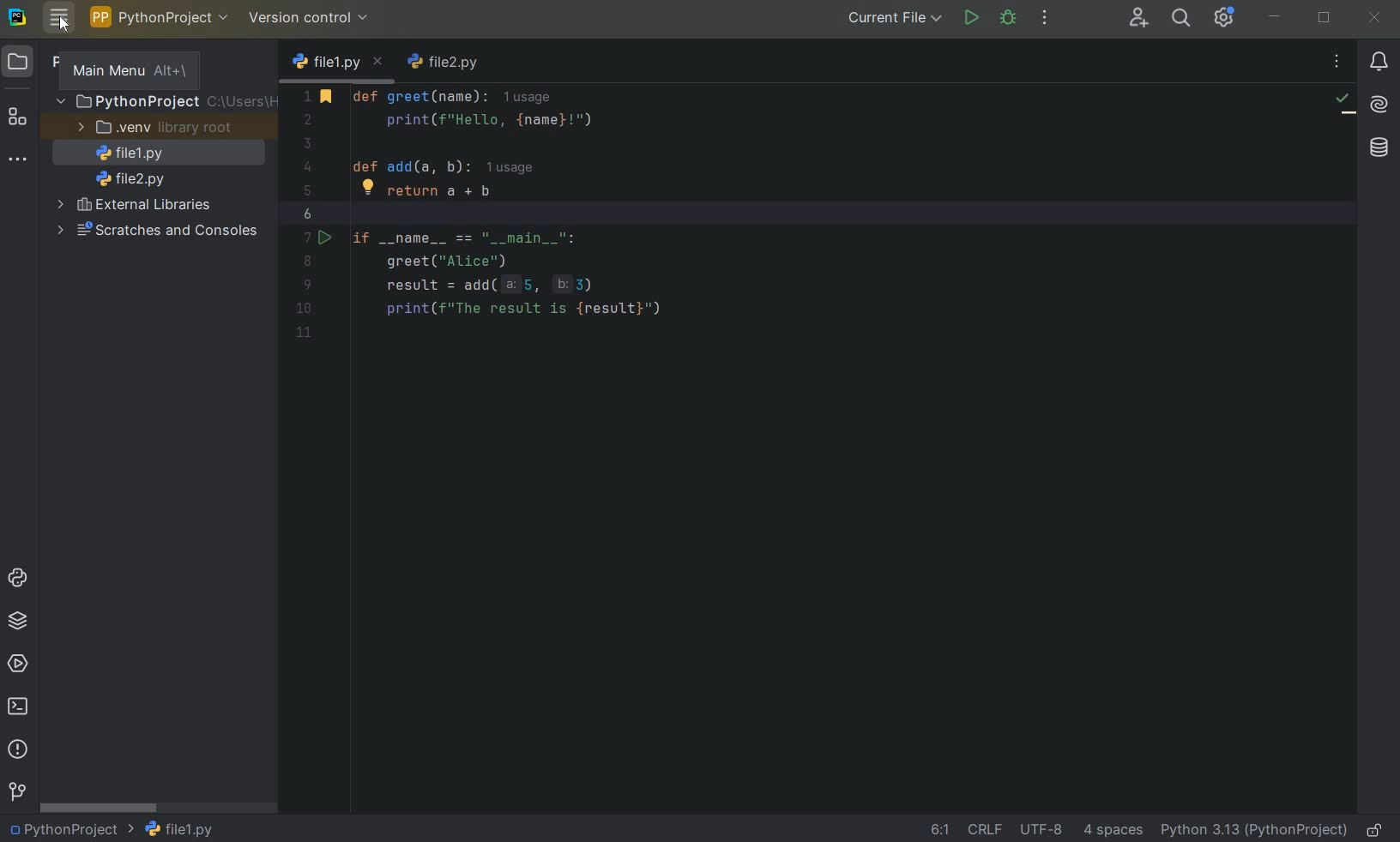  Describe the element at coordinates (1223, 18) in the screenshot. I see `ide and projectsettings` at that location.